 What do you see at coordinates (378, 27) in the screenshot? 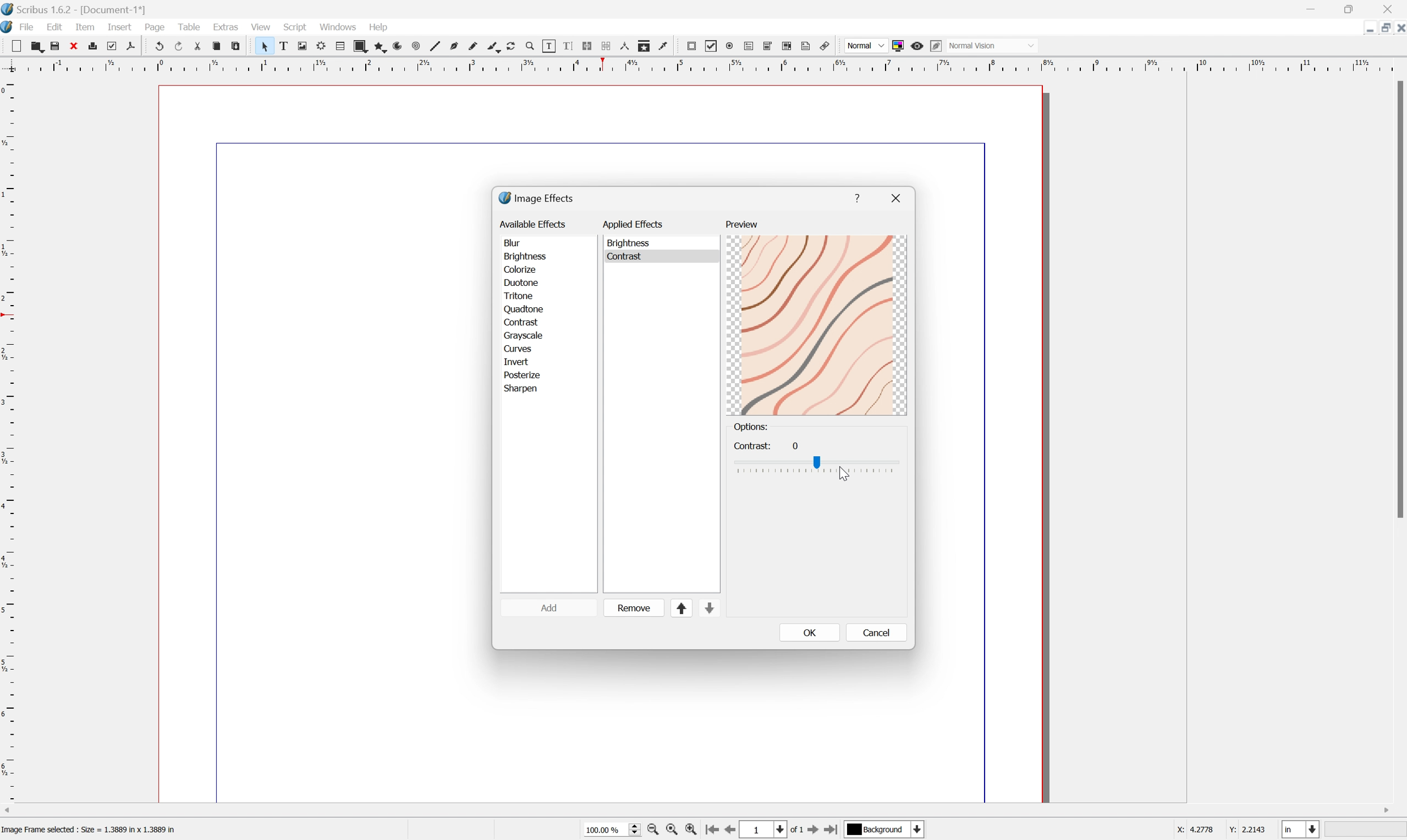
I see `Help` at bounding box center [378, 27].